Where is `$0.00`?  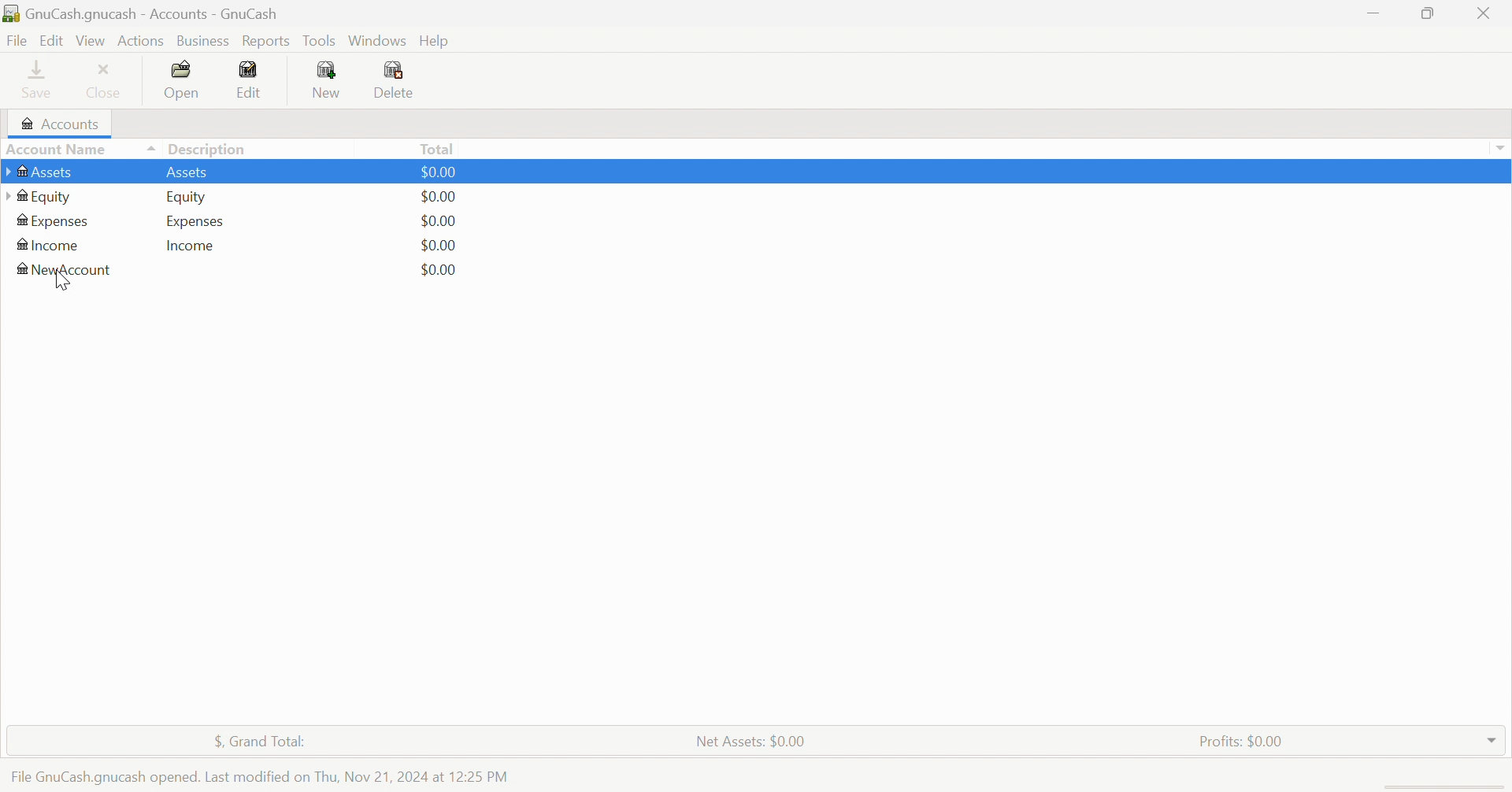 $0.00 is located at coordinates (439, 196).